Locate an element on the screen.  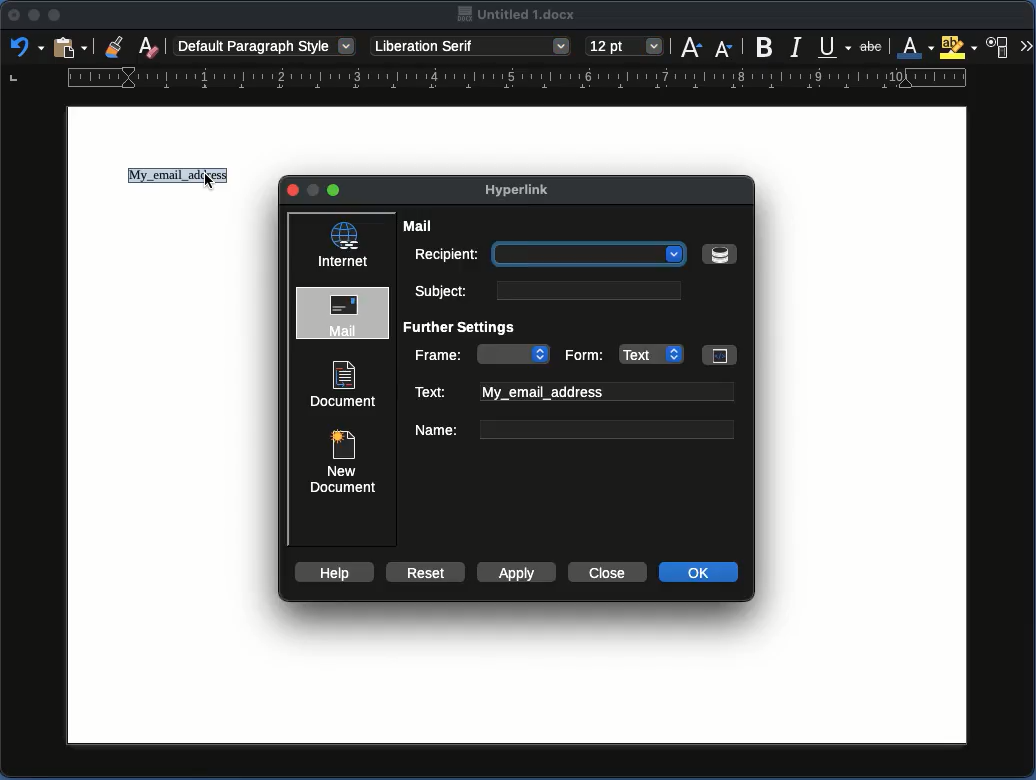
Clear formatting is located at coordinates (150, 45).